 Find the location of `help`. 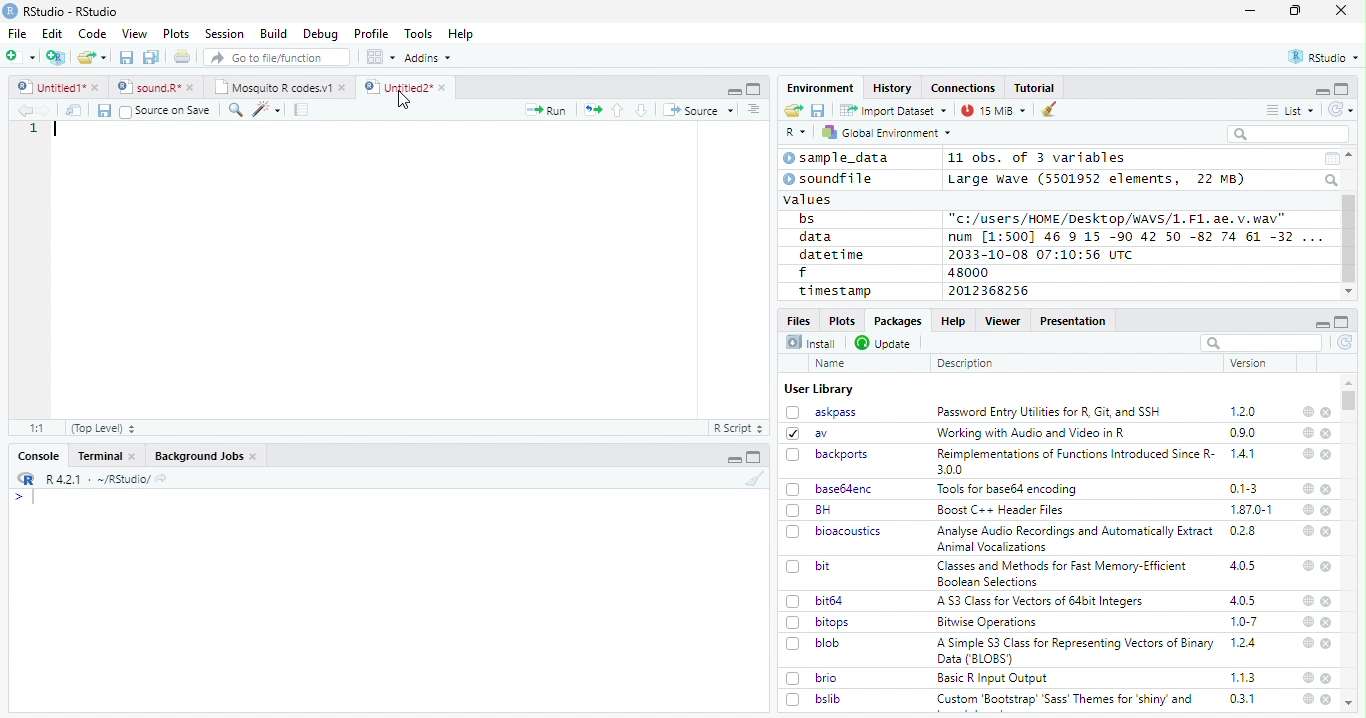

help is located at coordinates (1308, 677).